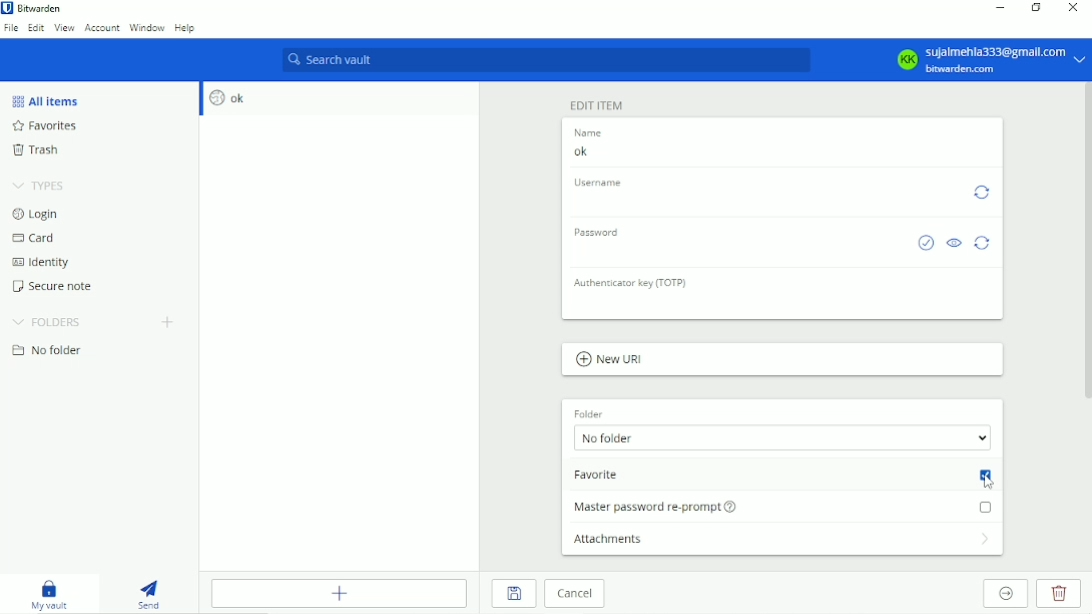 Image resolution: width=1092 pixels, height=614 pixels. I want to click on Trash, so click(37, 150).